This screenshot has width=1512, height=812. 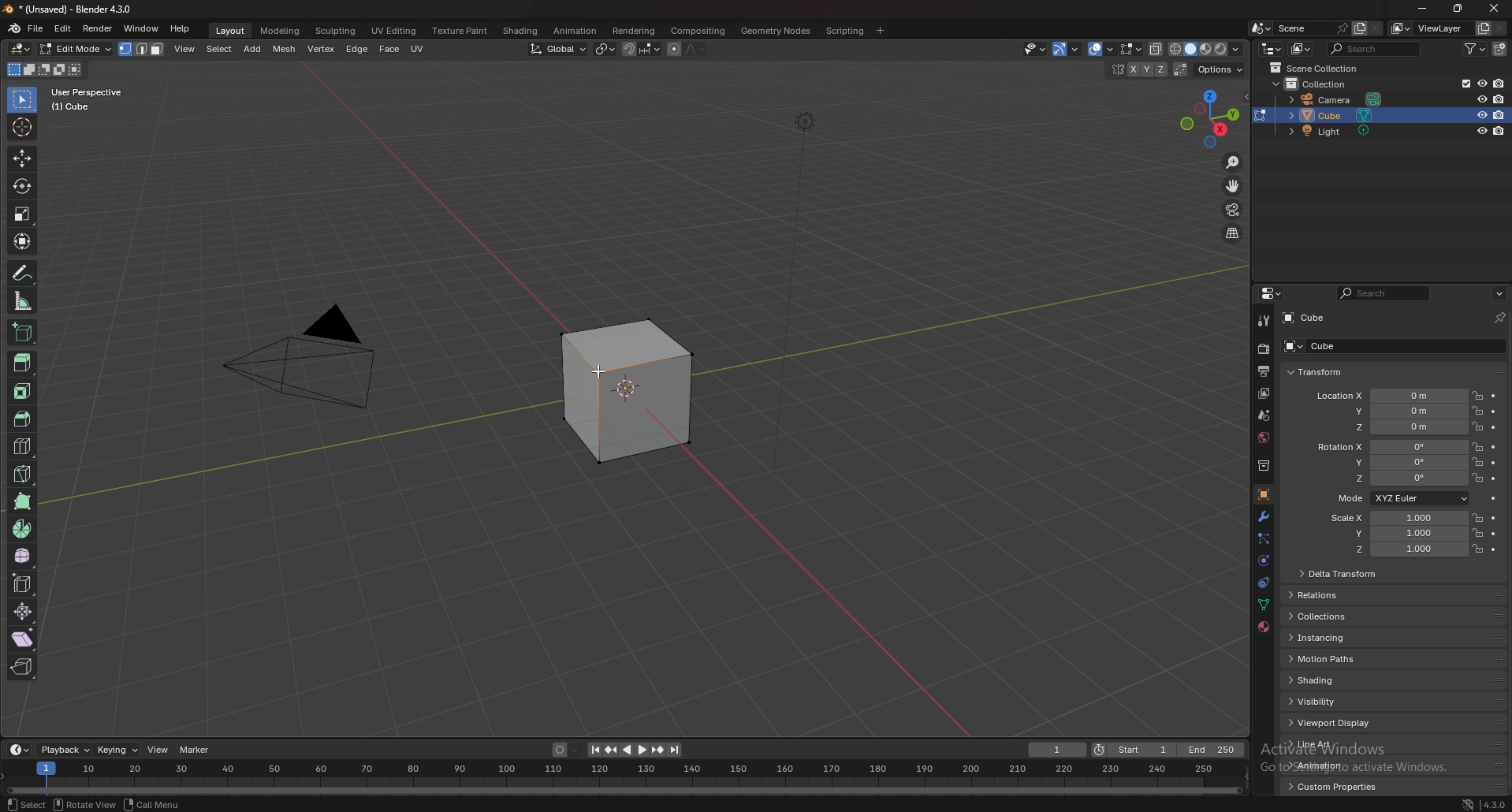 I want to click on zoom, so click(x=1234, y=163).